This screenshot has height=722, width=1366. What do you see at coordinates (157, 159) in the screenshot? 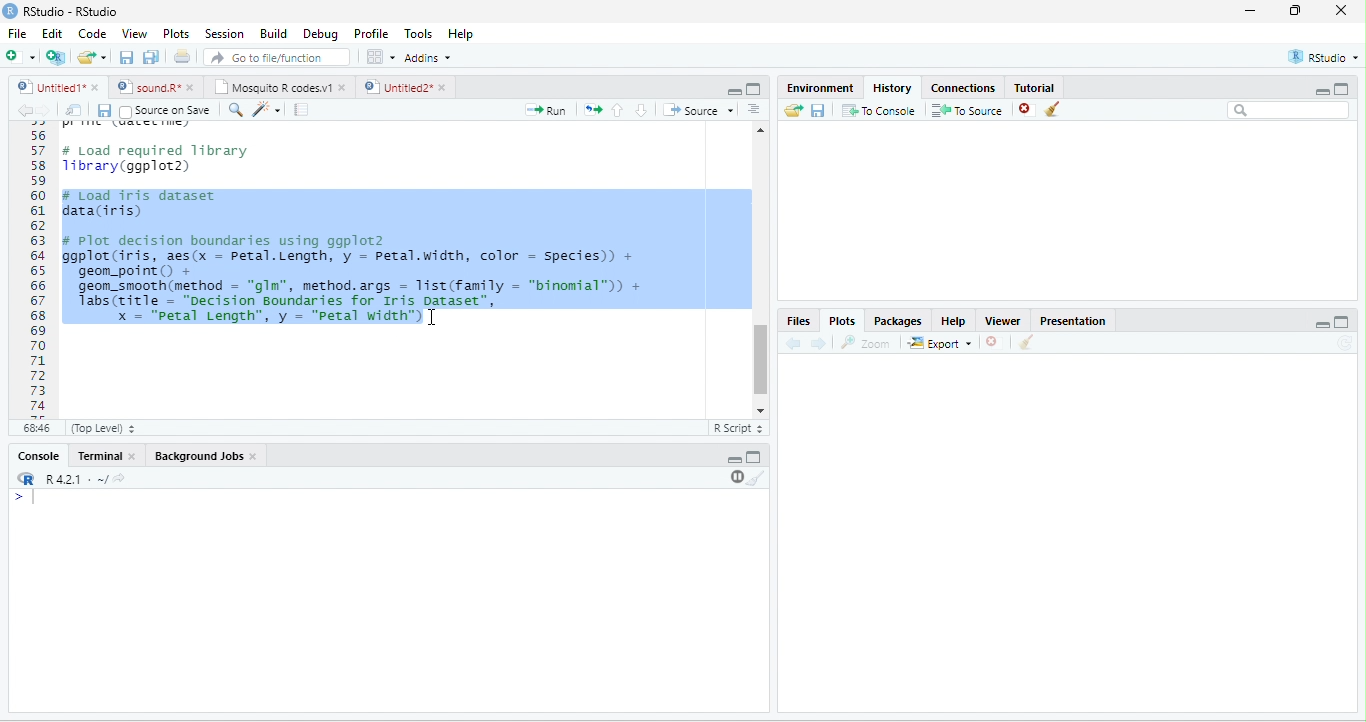
I see `# Load required library1ibrary(ggplot2)` at bounding box center [157, 159].